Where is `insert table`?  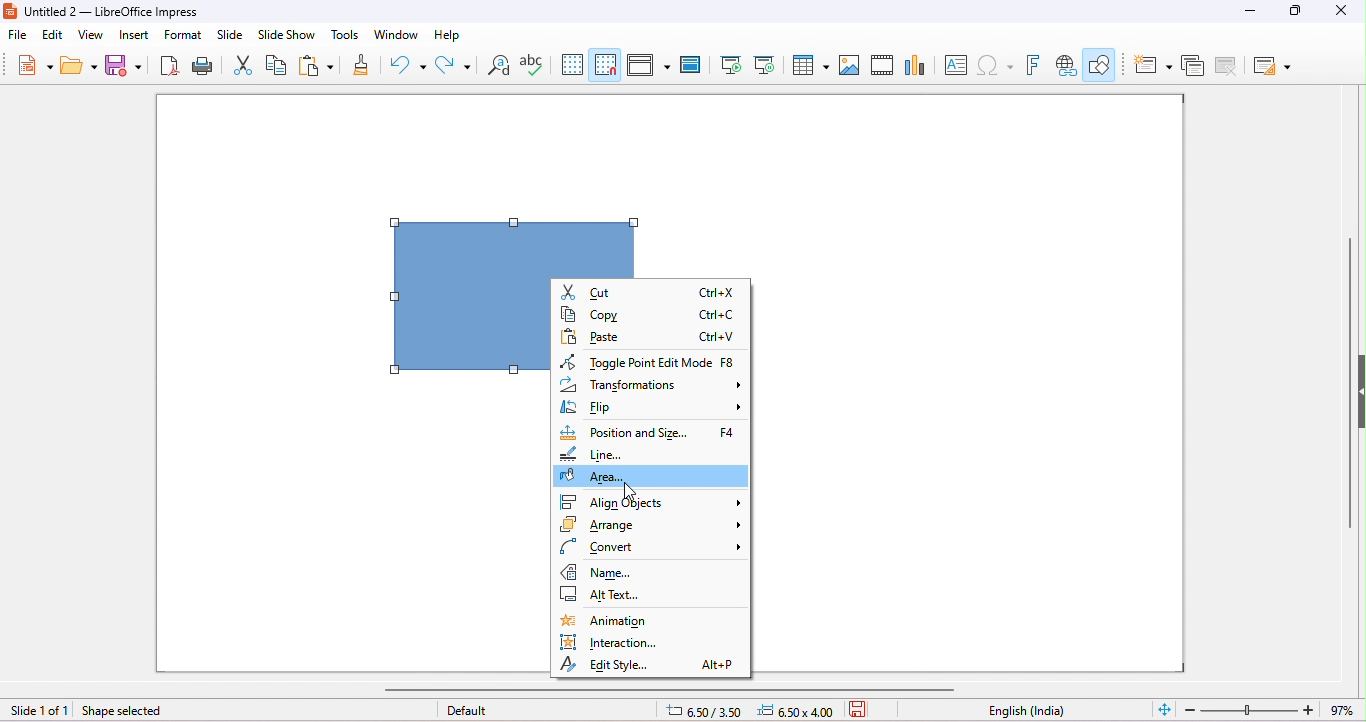
insert table is located at coordinates (809, 63).